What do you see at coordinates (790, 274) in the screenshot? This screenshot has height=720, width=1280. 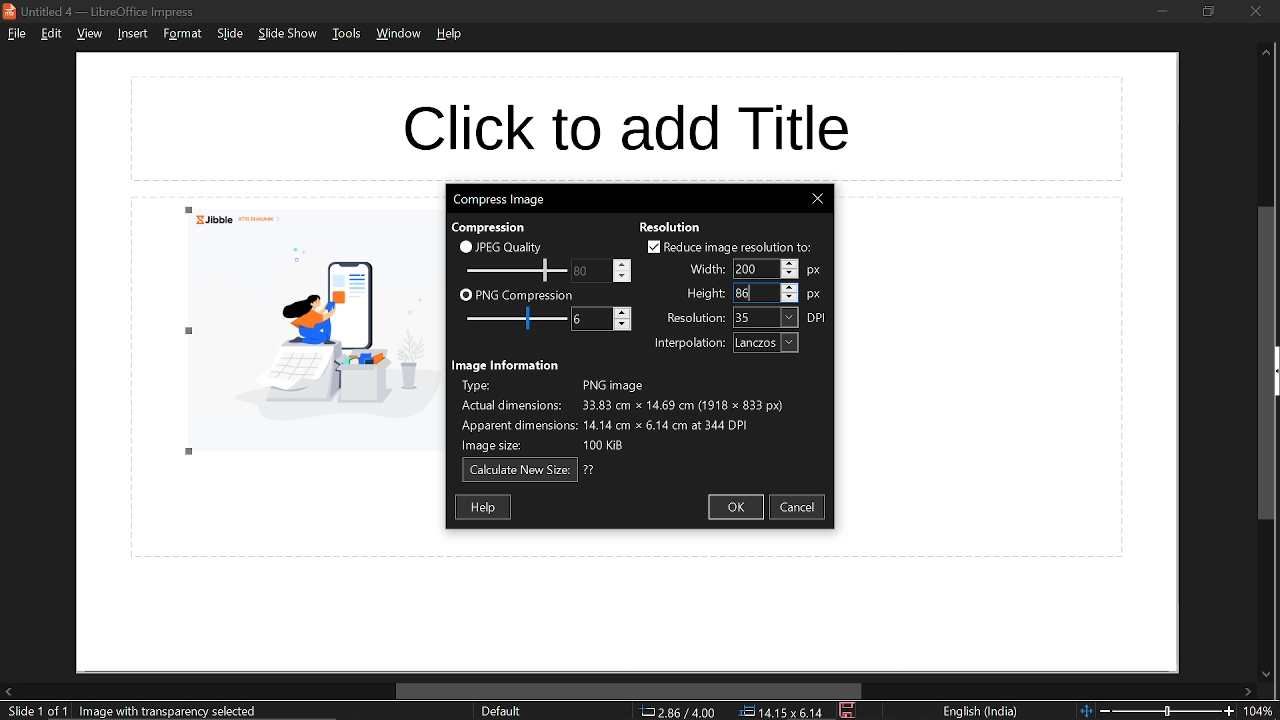 I see `decrease width` at bounding box center [790, 274].